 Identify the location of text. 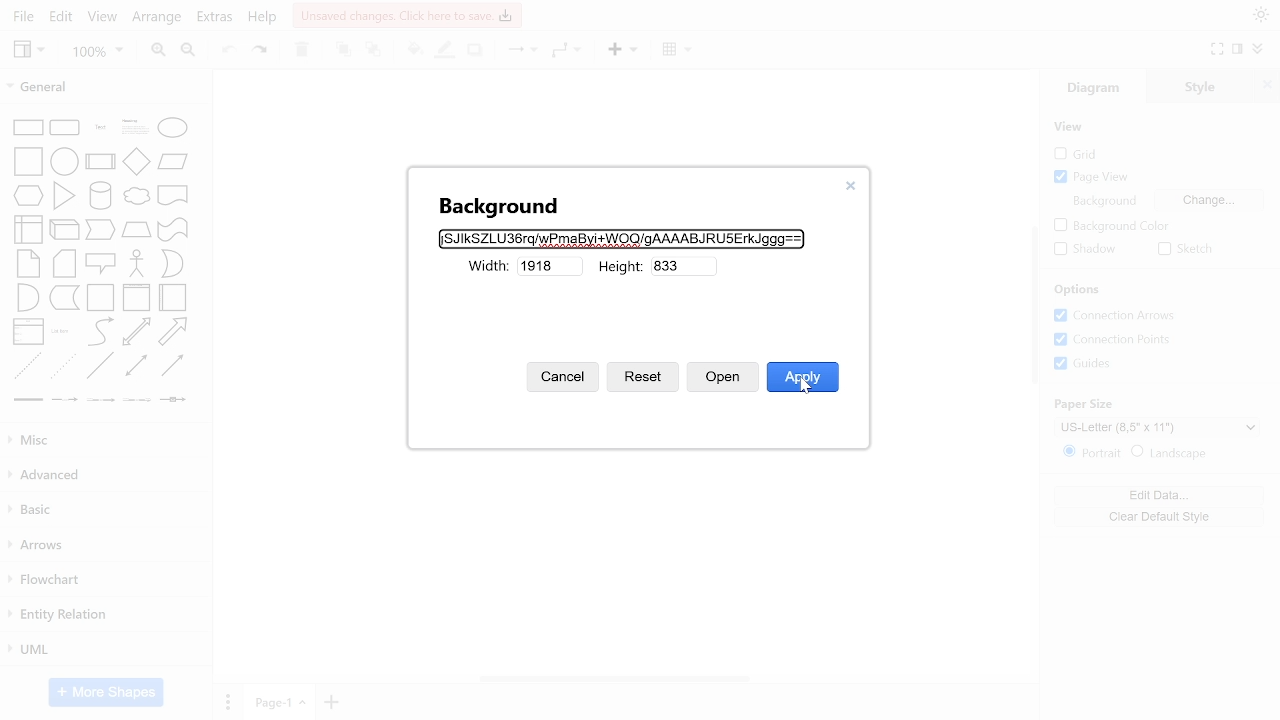
(1103, 201).